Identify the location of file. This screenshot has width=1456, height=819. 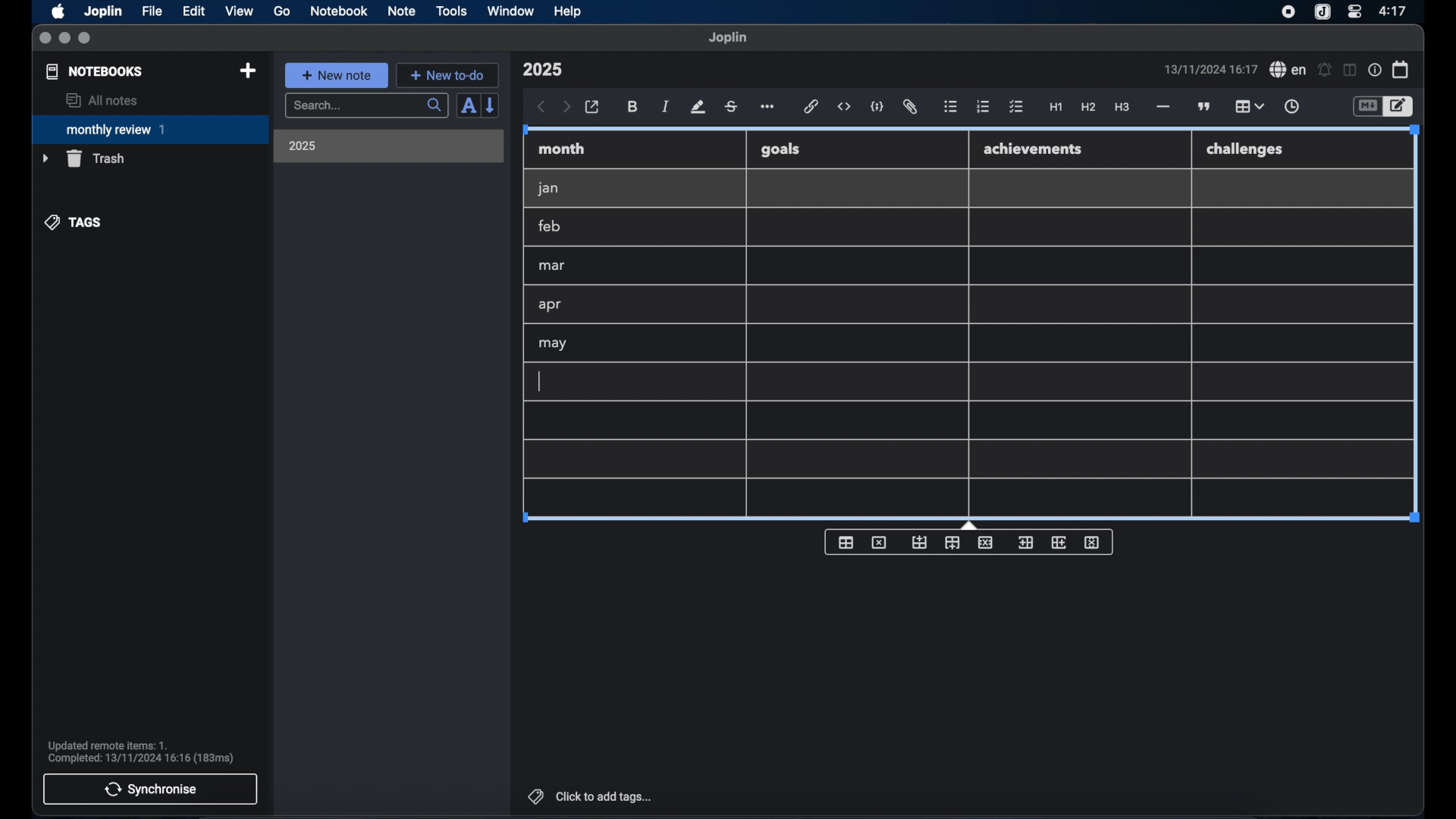
(152, 11).